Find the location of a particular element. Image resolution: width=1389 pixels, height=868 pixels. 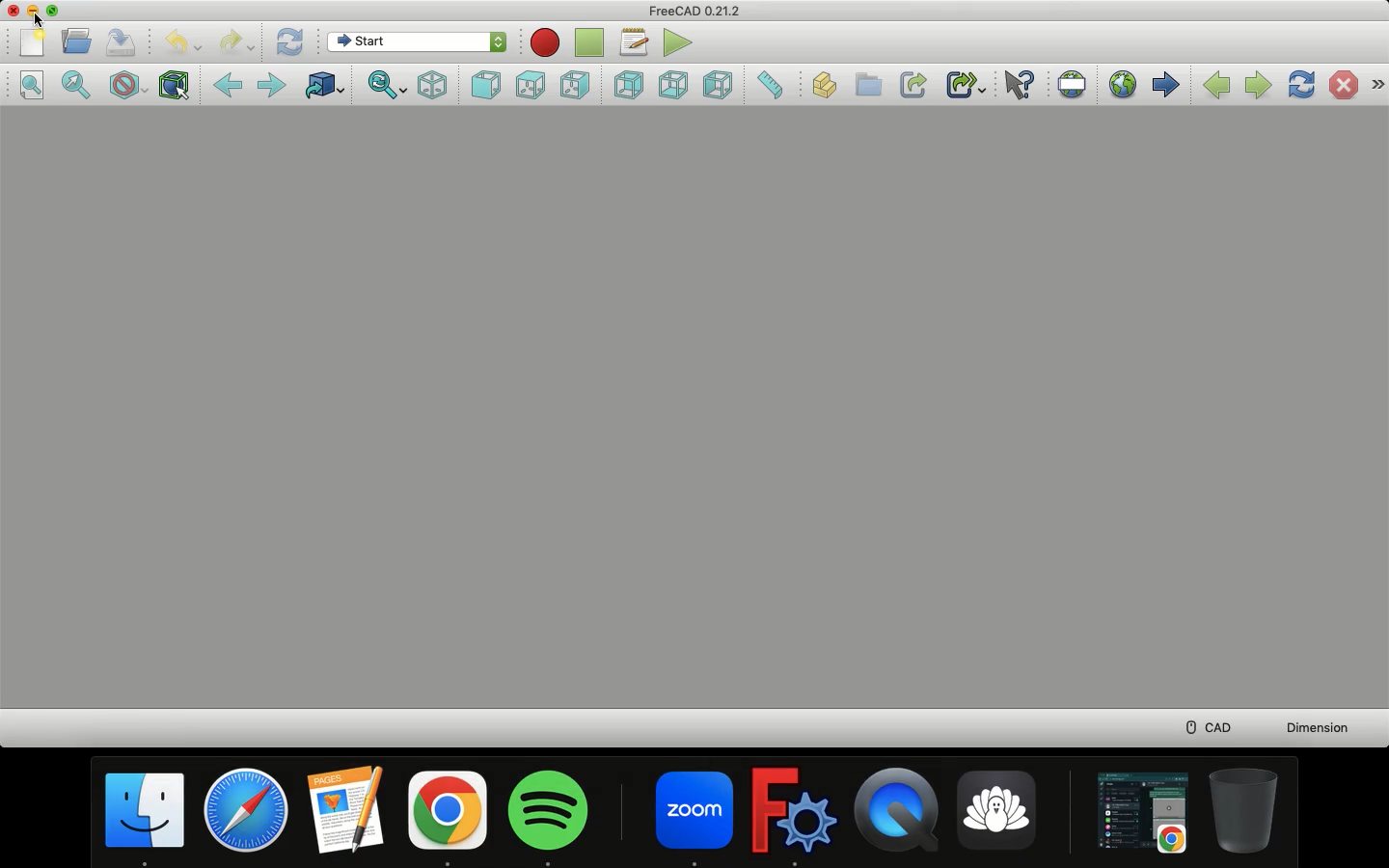

Draw style is located at coordinates (128, 84).